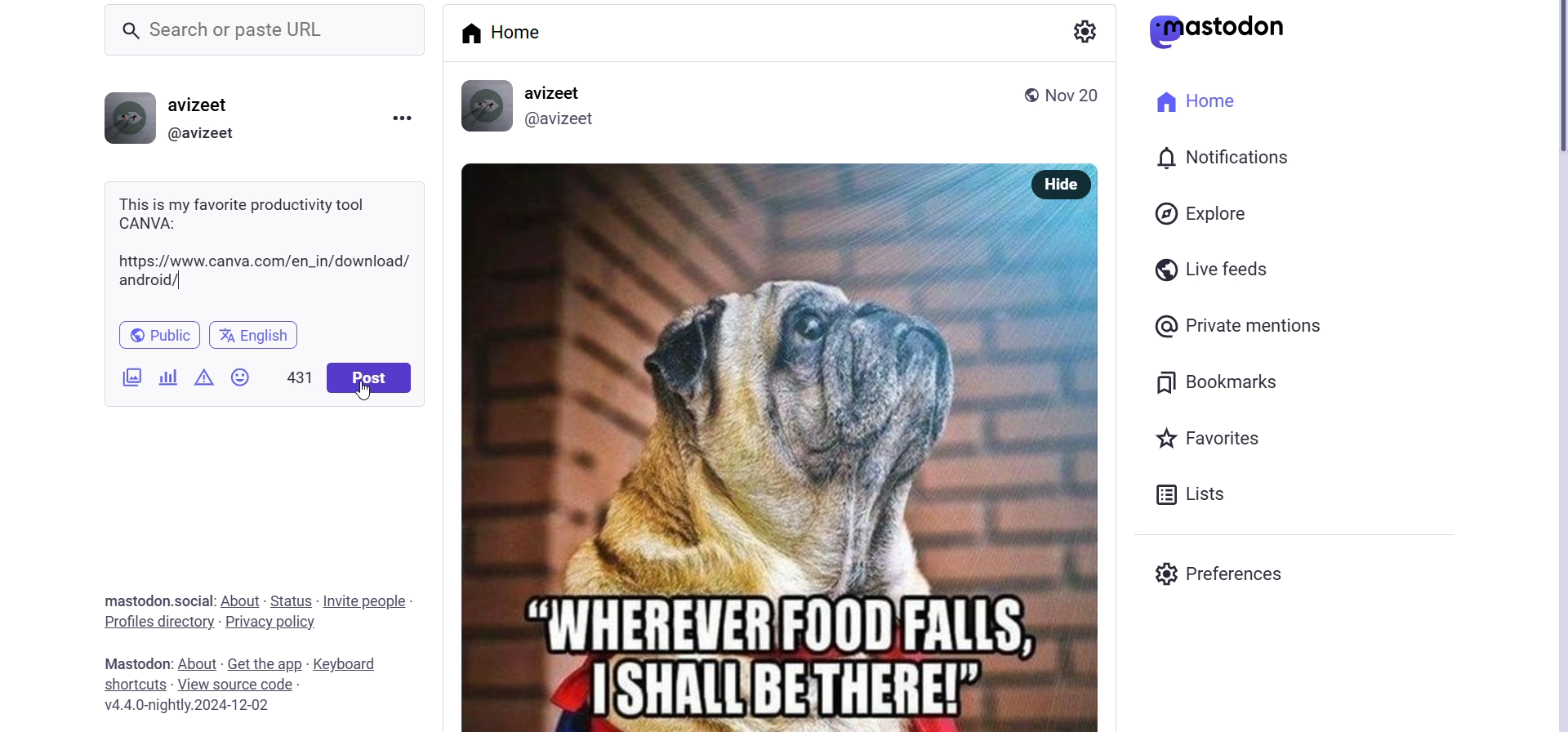  I want to click on private mentions, so click(1258, 323).